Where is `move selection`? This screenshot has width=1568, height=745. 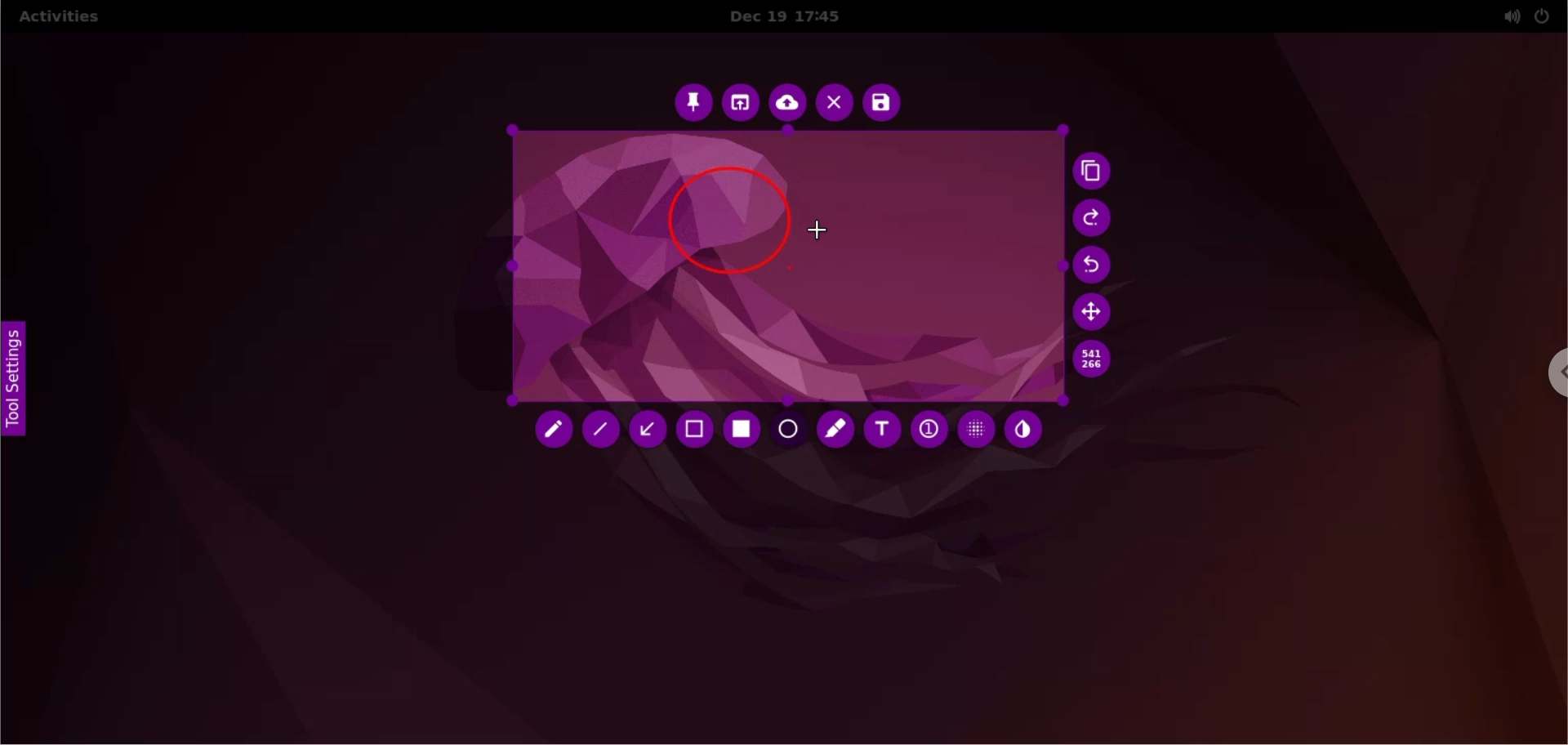
move selection is located at coordinates (1095, 311).